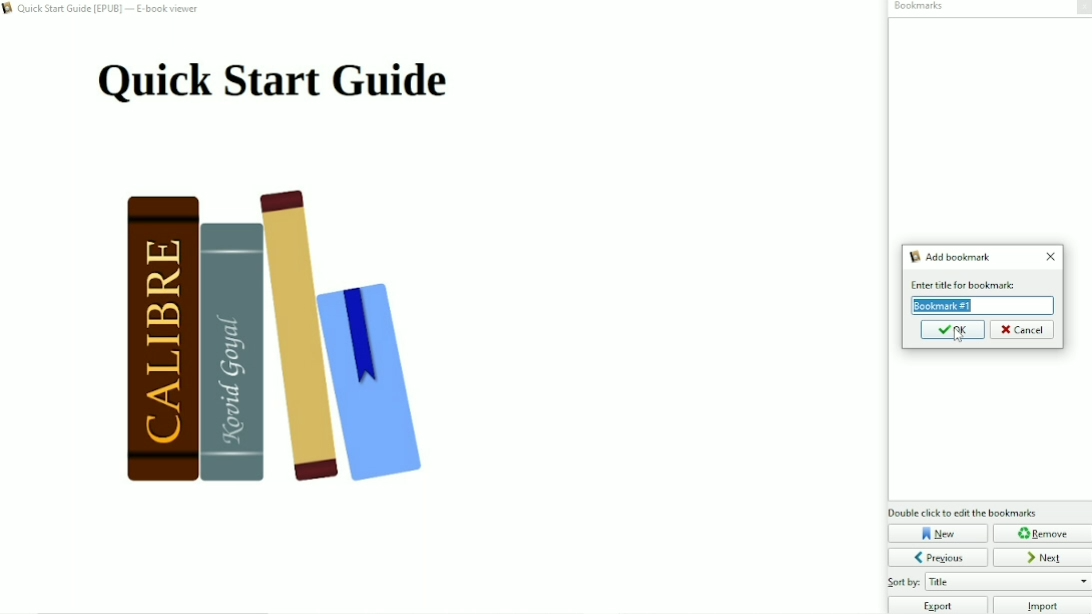 This screenshot has height=614, width=1092. I want to click on New, so click(938, 533).